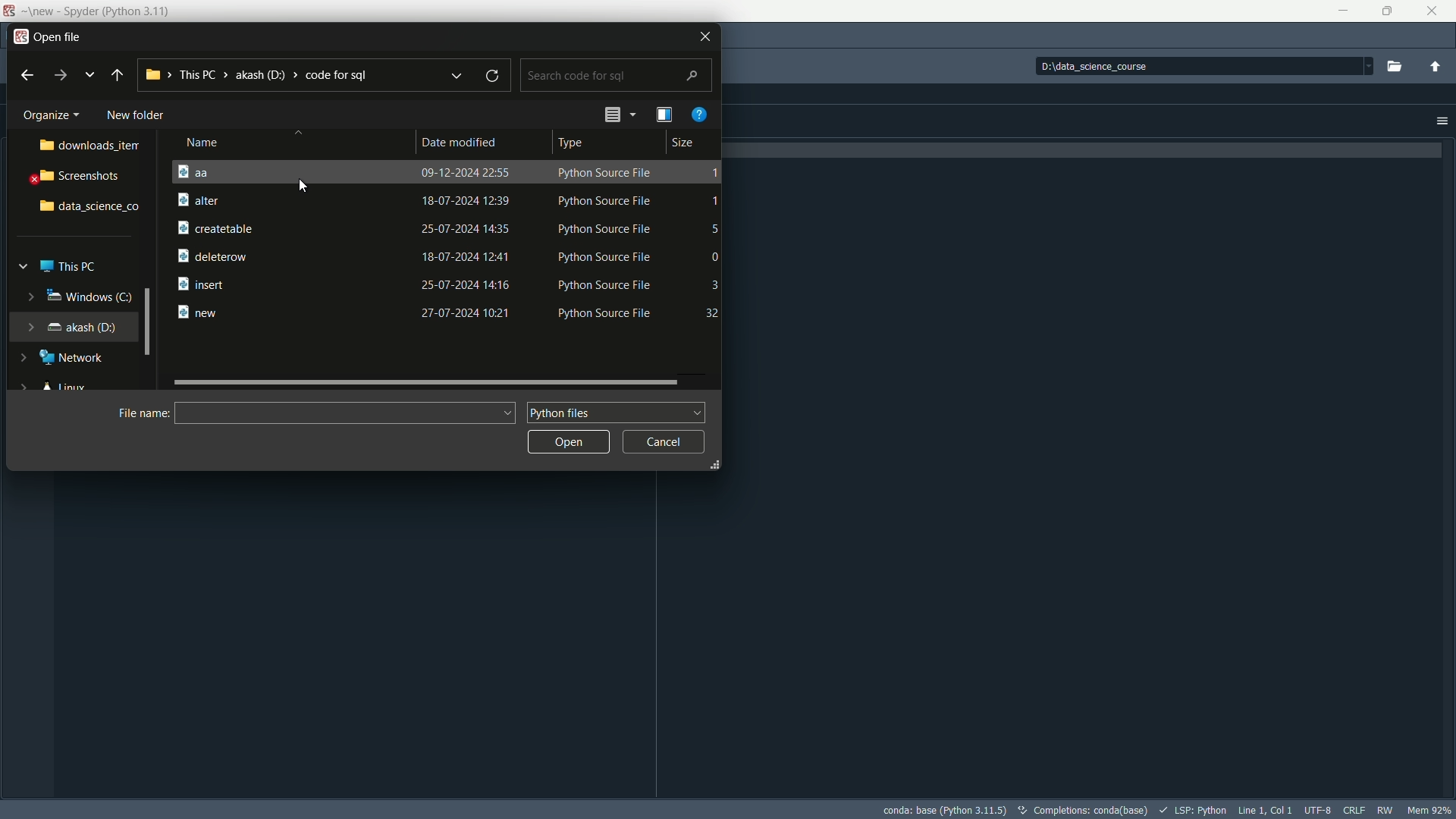 Image resolution: width=1456 pixels, height=819 pixels. What do you see at coordinates (219, 142) in the screenshot?
I see `name` at bounding box center [219, 142].